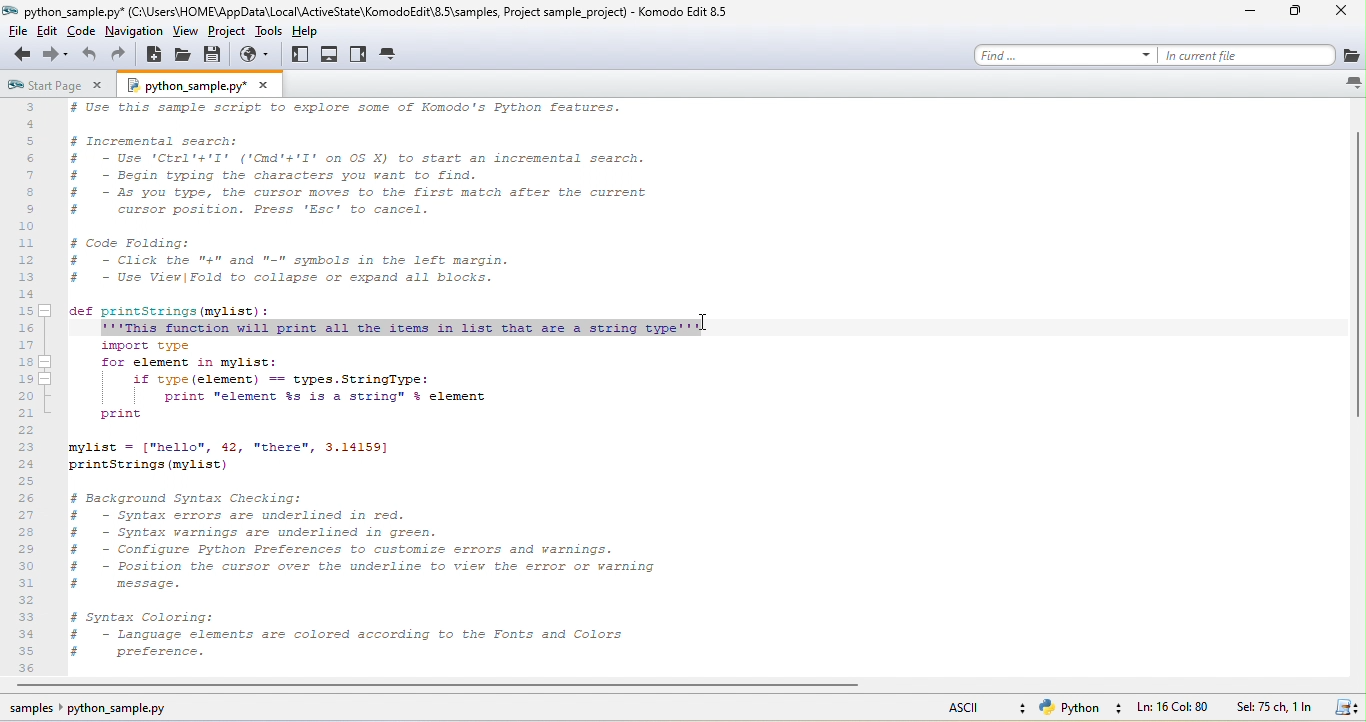  What do you see at coordinates (54, 55) in the screenshot?
I see `forward` at bounding box center [54, 55].